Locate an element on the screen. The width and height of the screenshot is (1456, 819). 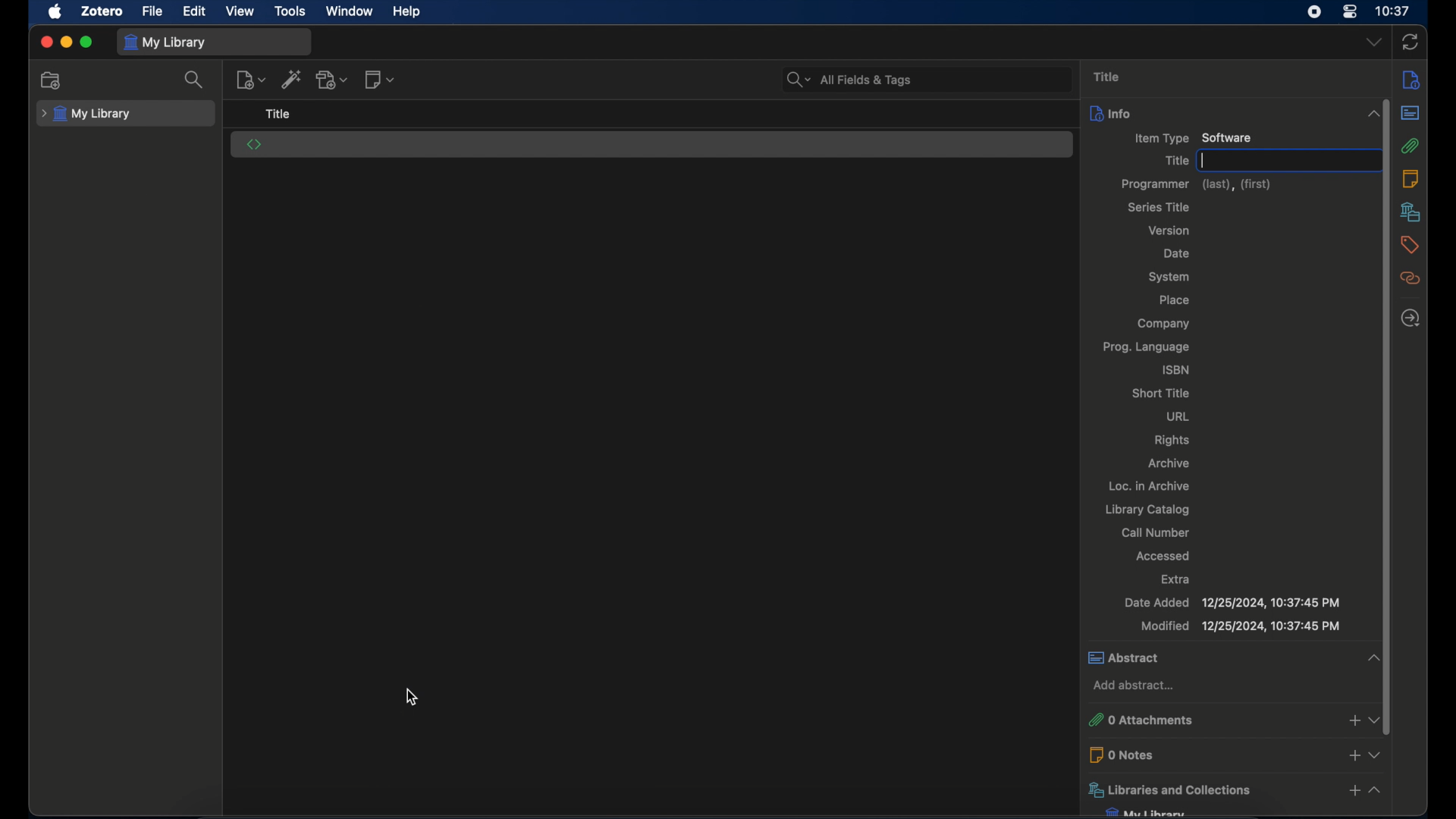
date is located at coordinates (1177, 253).